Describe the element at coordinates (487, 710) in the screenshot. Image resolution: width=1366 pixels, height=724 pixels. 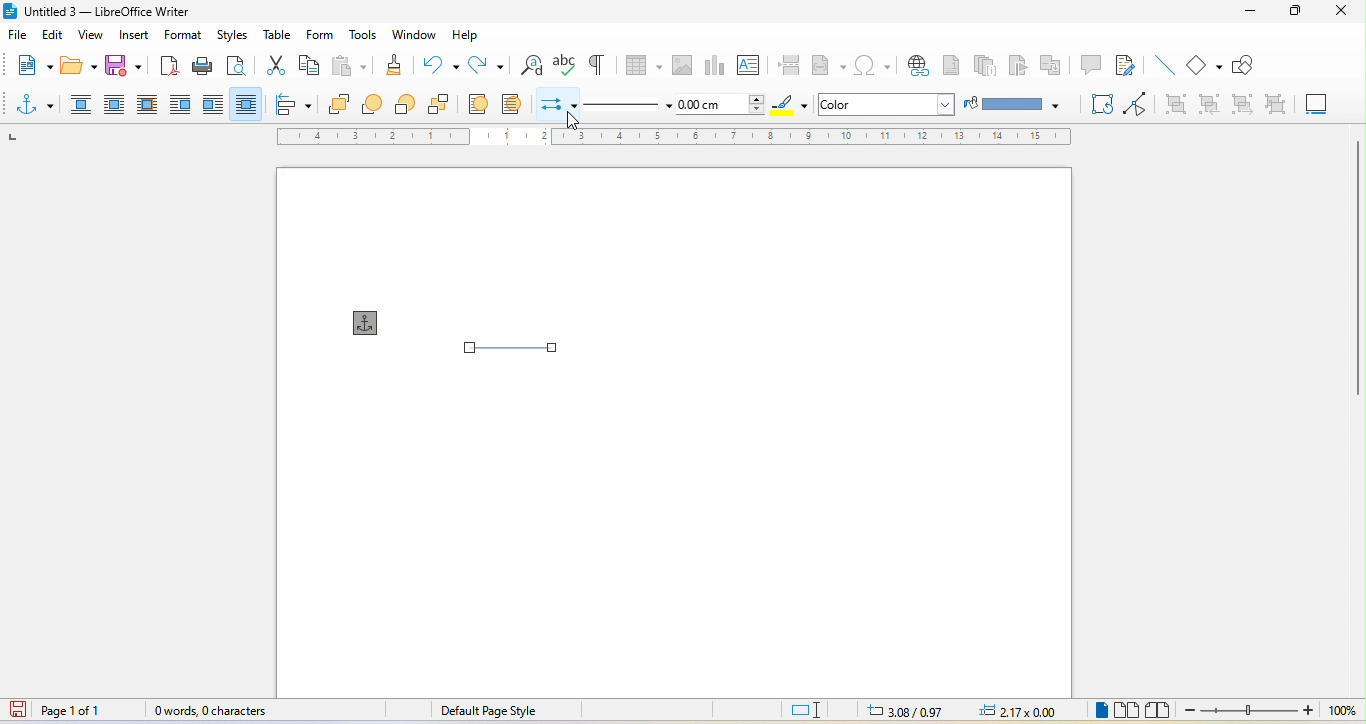
I see `default page style` at that location.